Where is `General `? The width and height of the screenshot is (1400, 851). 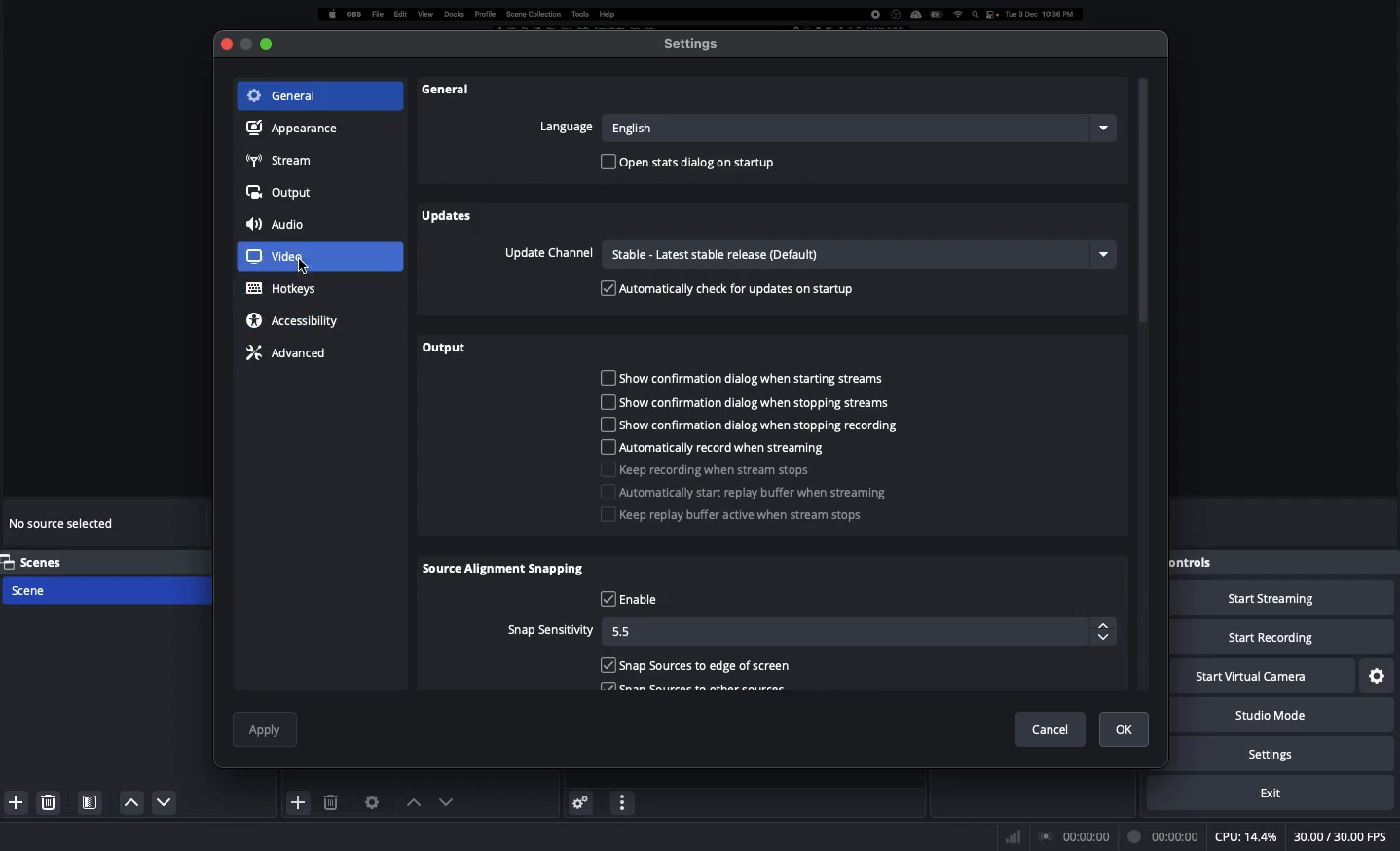 General  is located at coordinates (287, 96).